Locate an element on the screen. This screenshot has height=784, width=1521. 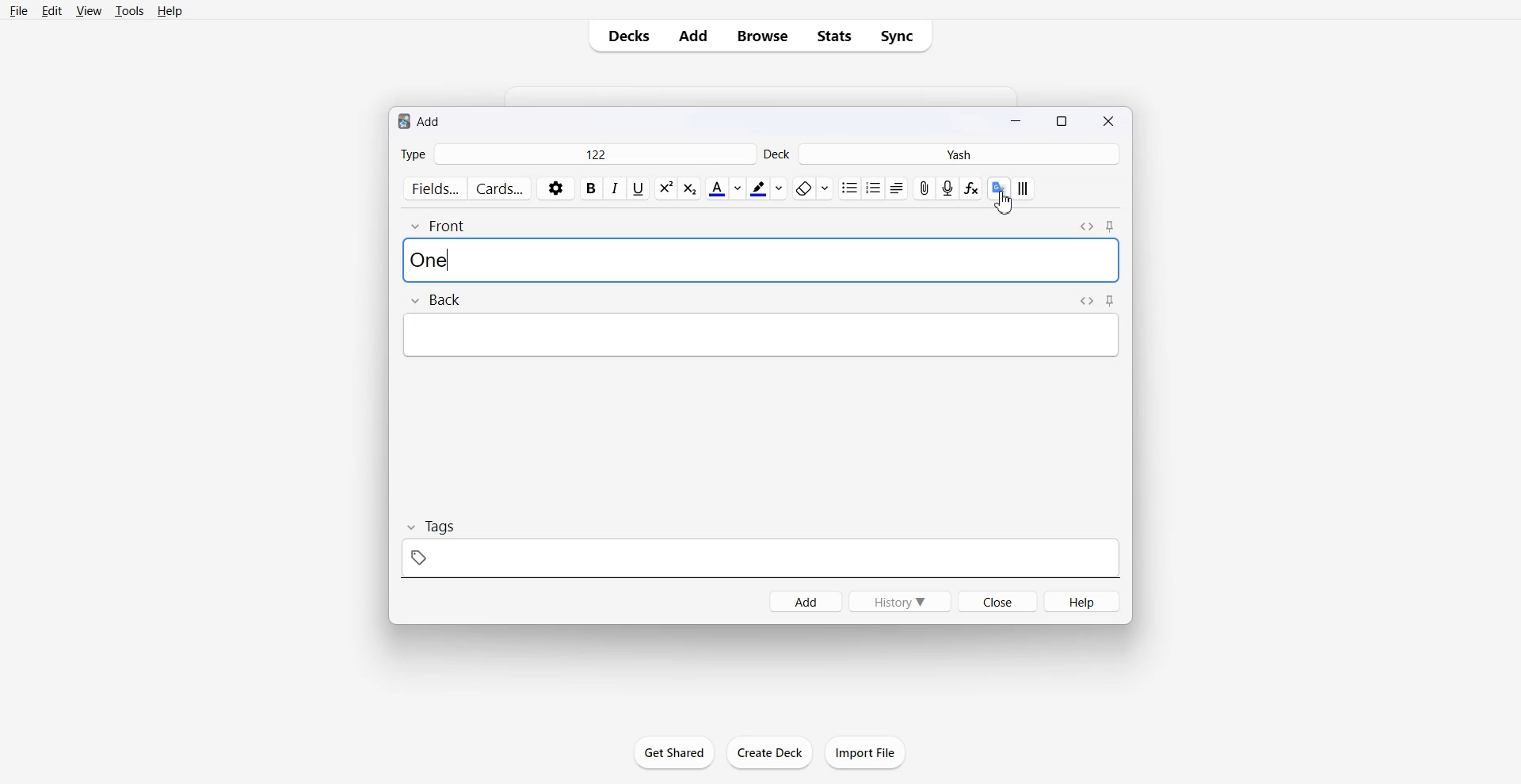
Maximize is located at coordinates (1065, 120).